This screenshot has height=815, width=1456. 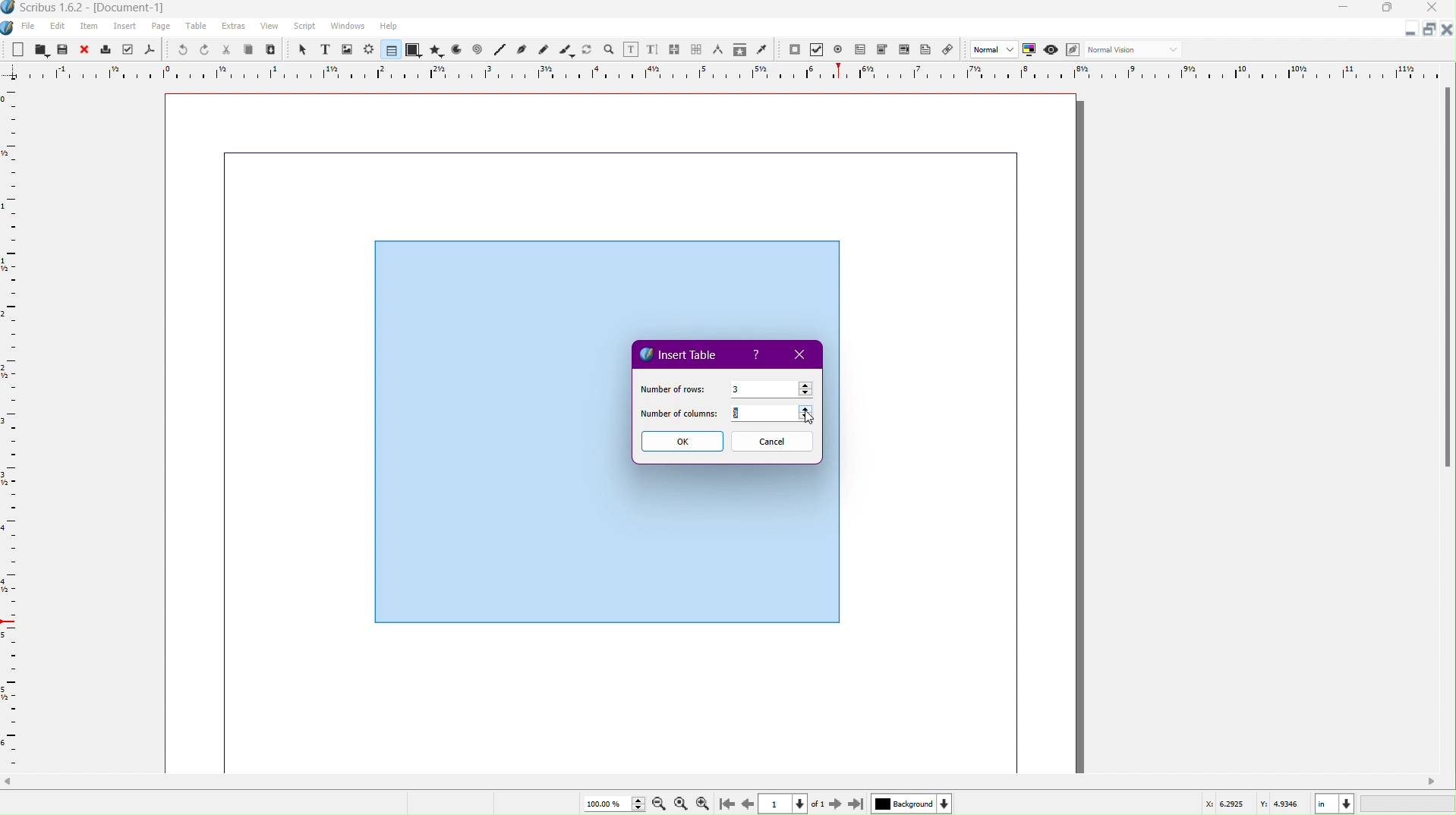 What do you see at coordinates (251, 49) in the screenshot?
I see `Copy` at bounding box center [251, 49].